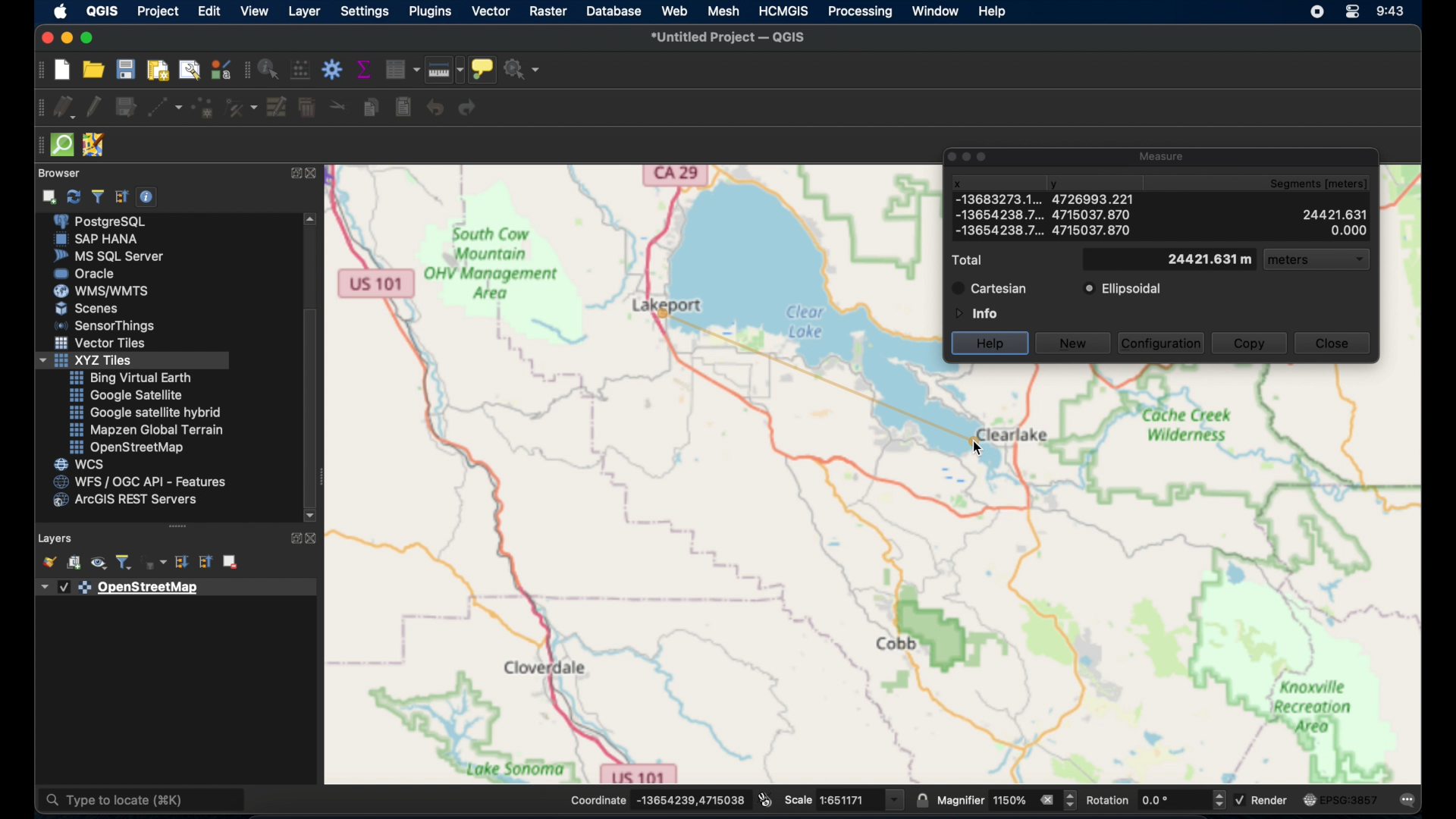 This screenshot has width=1456, height=819. Describe the element at coordinates (1122, 289) in the screenshot. I see `ellipsoidal radio button` at that location.